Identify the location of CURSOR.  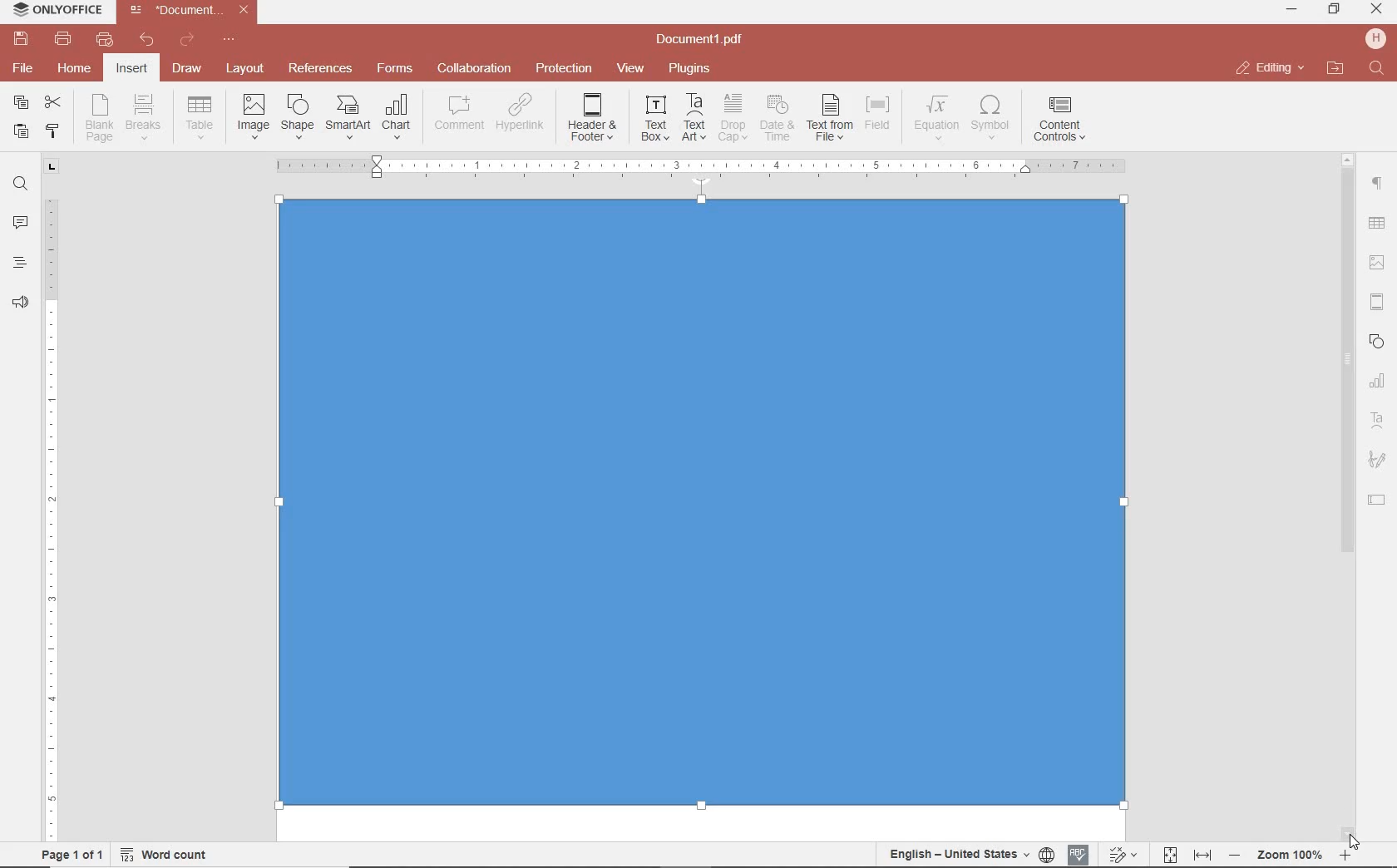
(1355, 839).